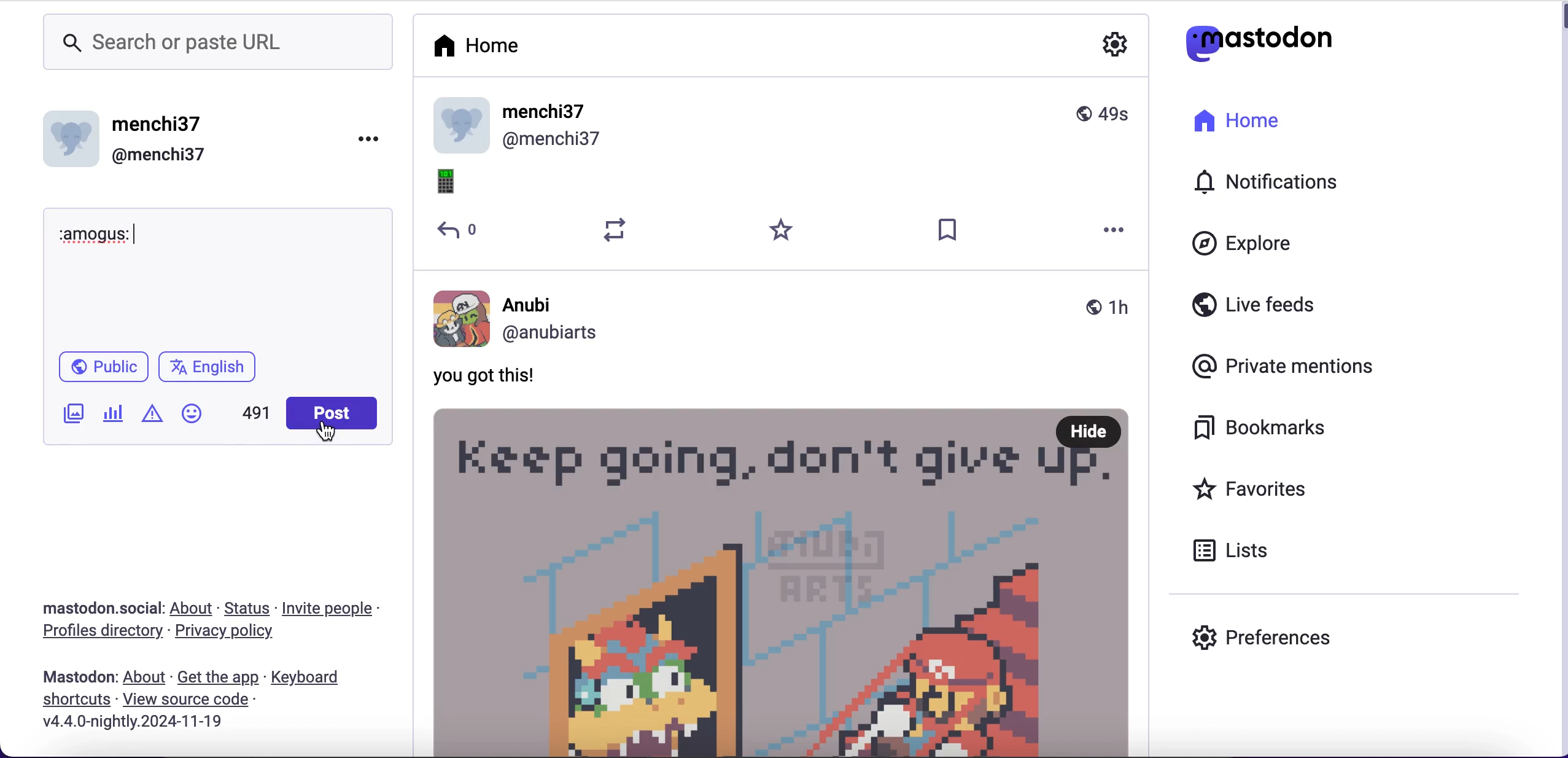 The image size is (1568, 758). I want to click on keyboard, so click(316, 676).